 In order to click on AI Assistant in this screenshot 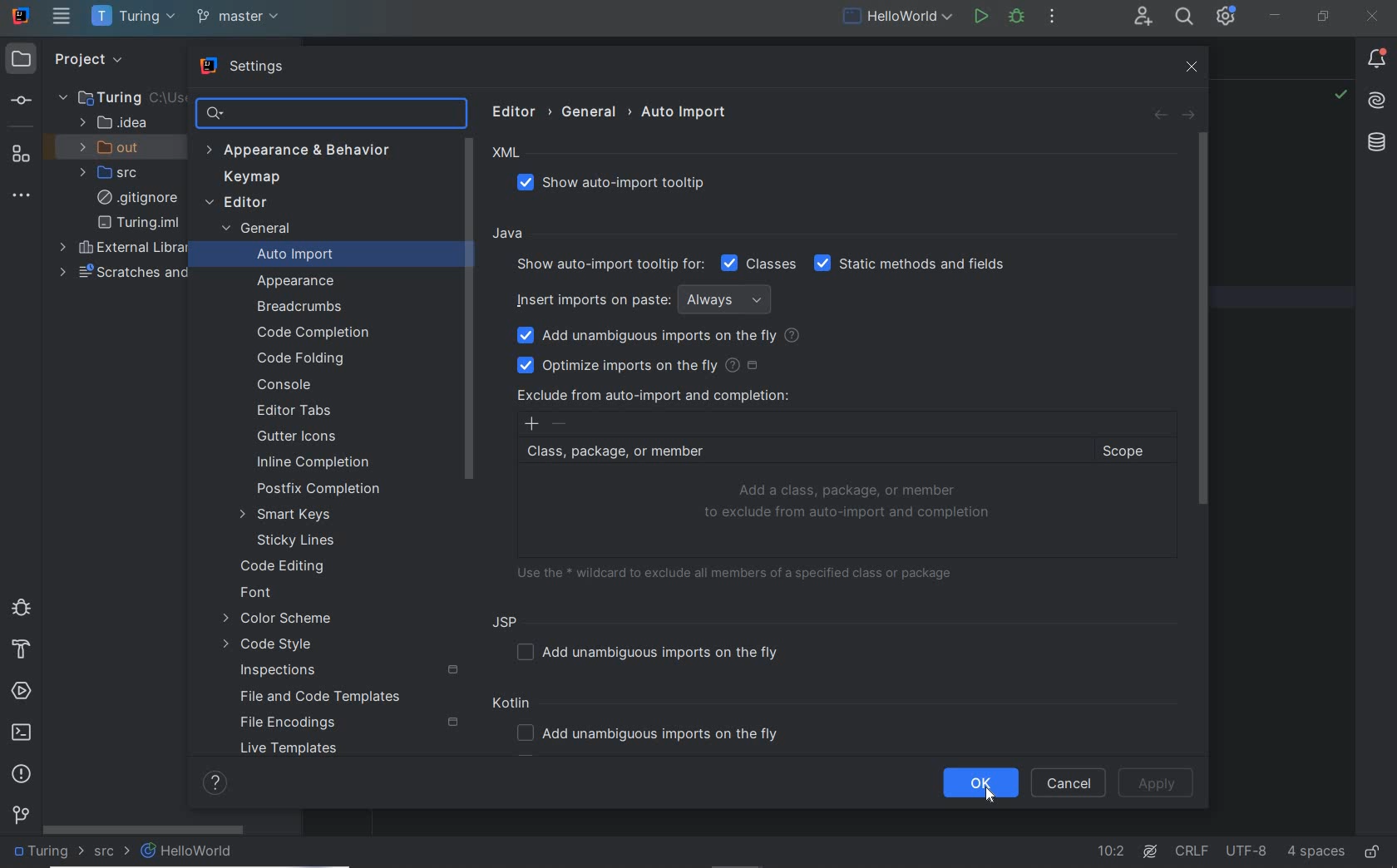, I will do `click(1378, 101)`.